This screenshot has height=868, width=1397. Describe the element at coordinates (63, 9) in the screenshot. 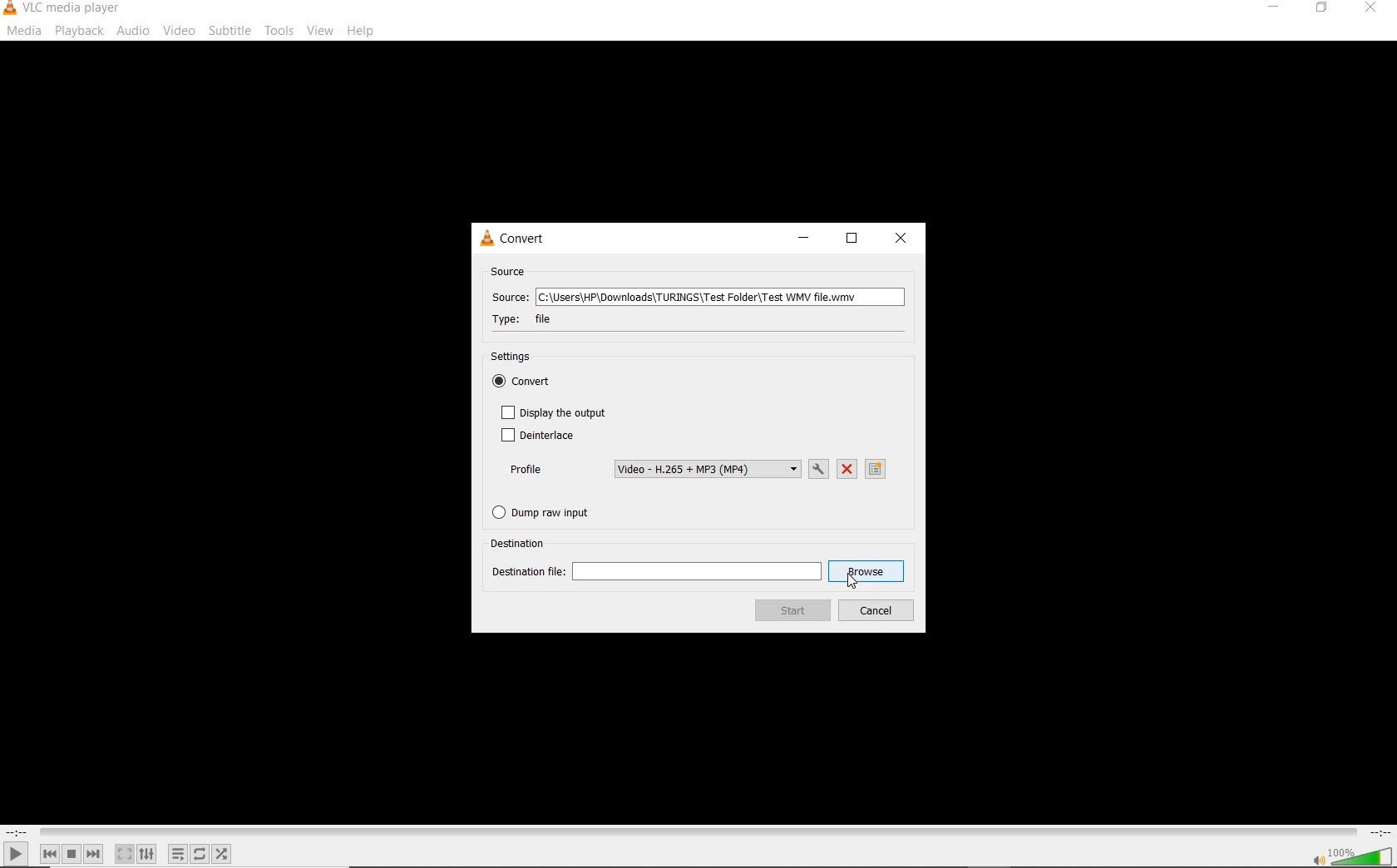

I see `system name` at that location.